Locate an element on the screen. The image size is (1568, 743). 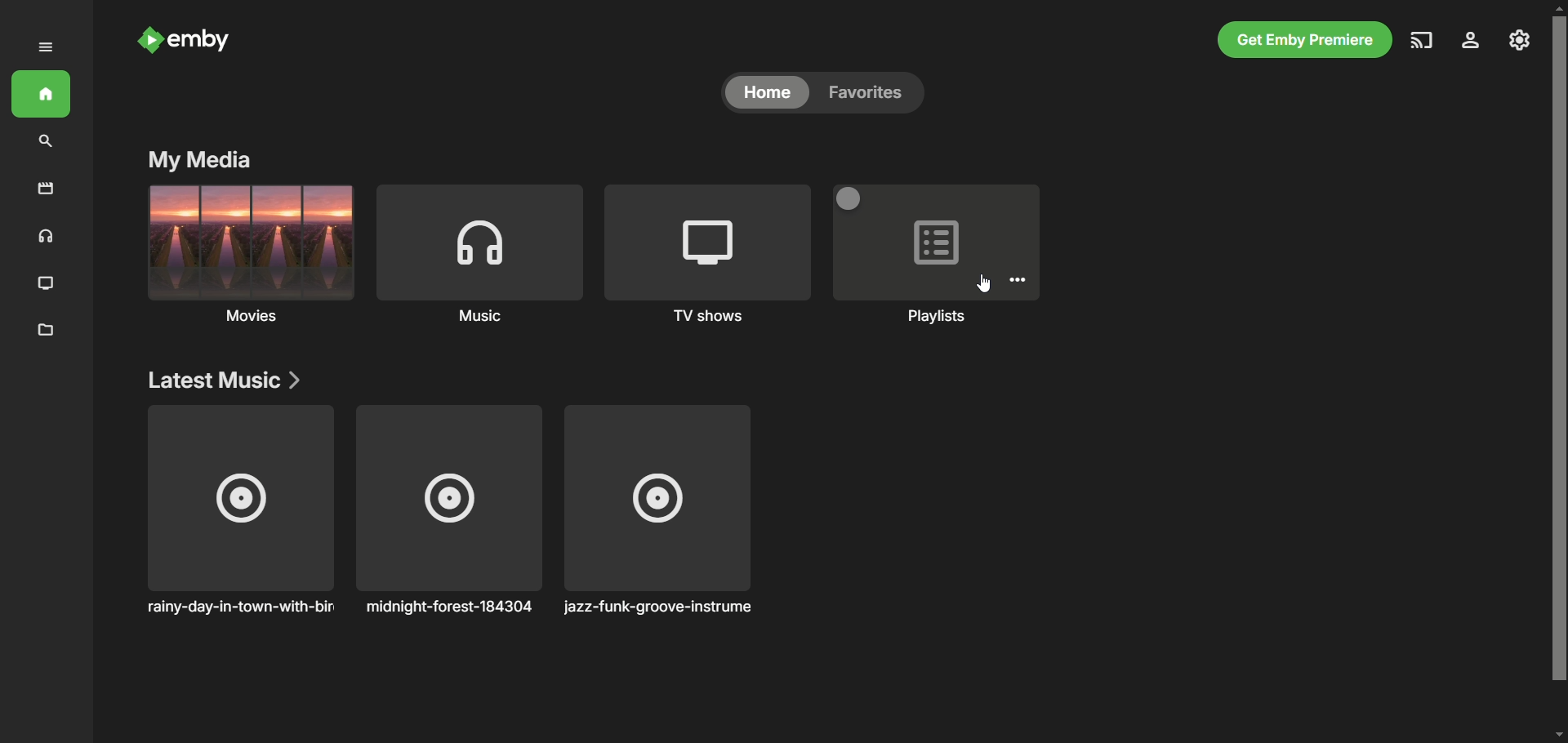
movies is located at coordinates (47, 189).